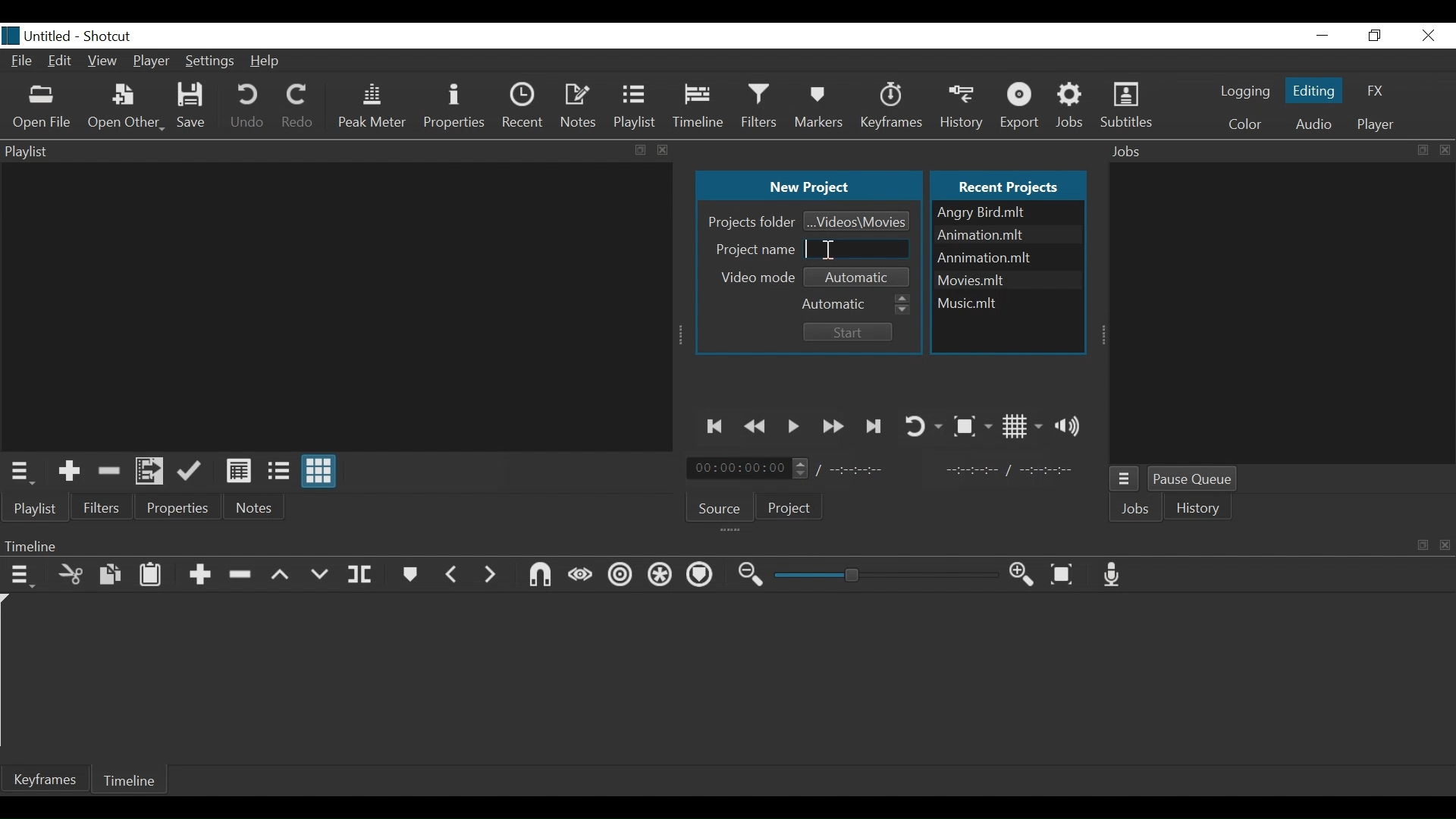  Describe the element at coordinates (1022, 426) in the screenshot. I see `Toggle display grid on player` at that location.